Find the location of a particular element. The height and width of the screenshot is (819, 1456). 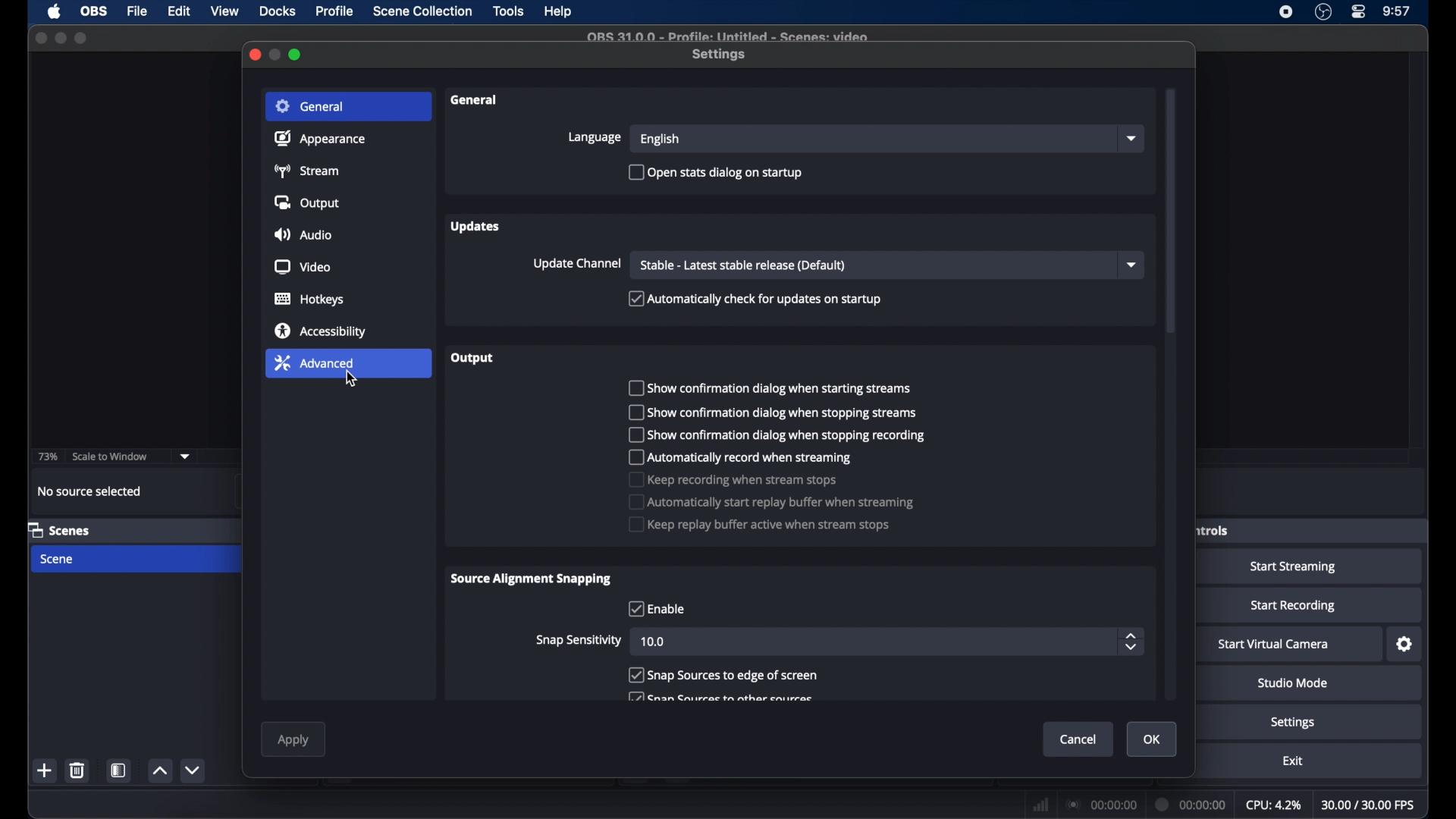

settings is located at coordinates (1293, 722).